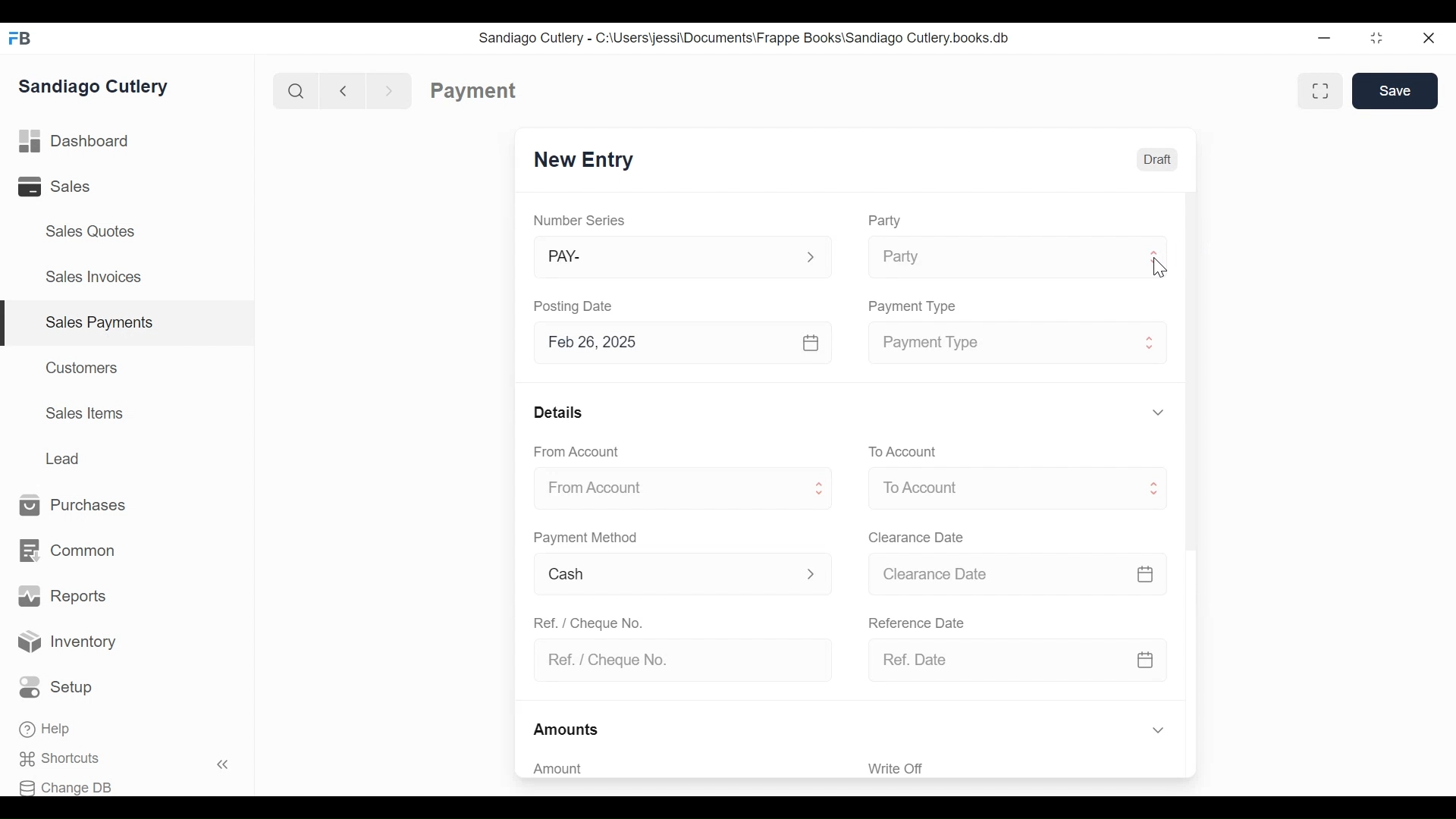  Describe the element at coordinates (62, 596) in the screenshot. I see `Reports` at that location.